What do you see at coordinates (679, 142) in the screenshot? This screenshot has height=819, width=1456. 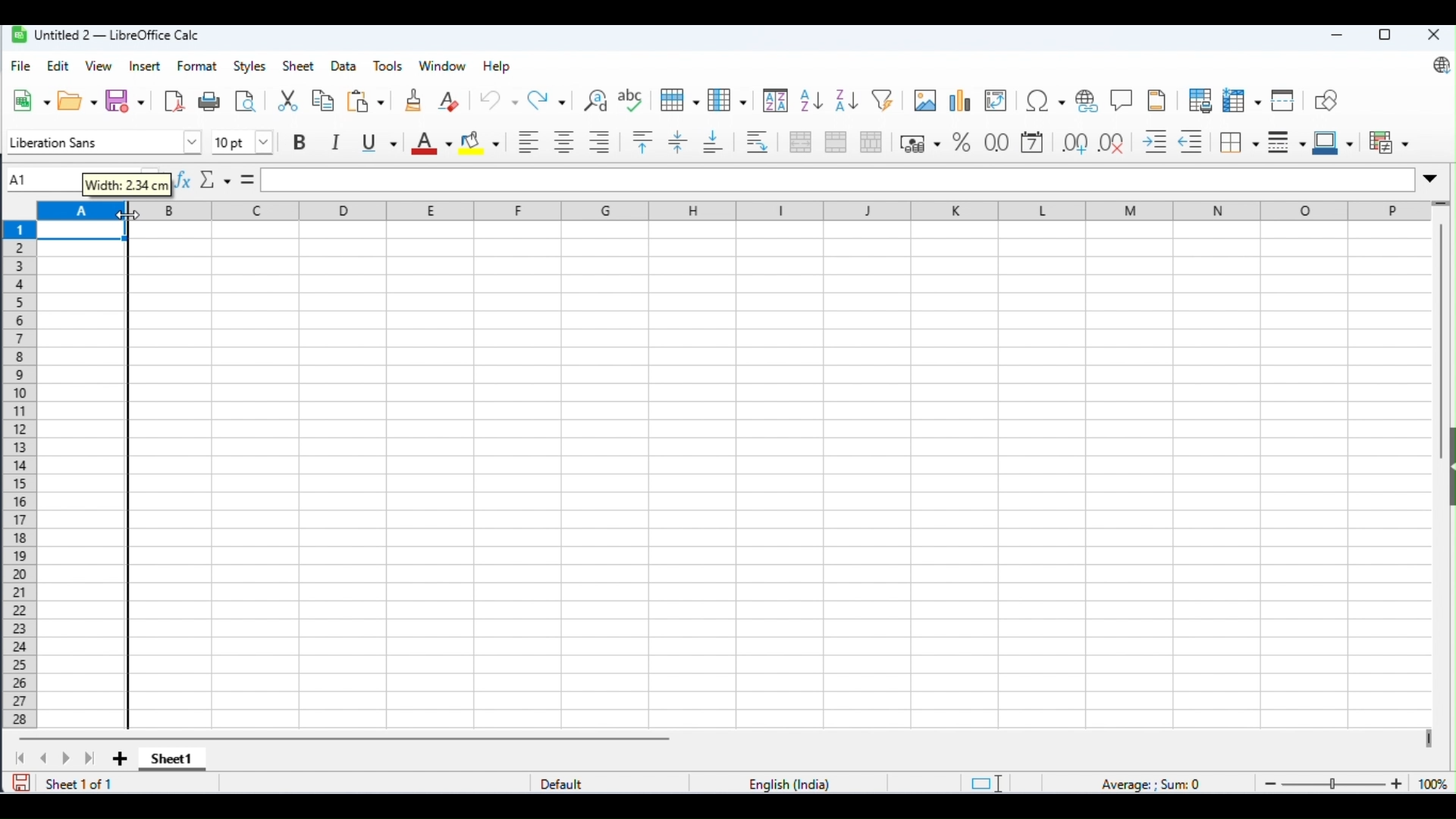 I see `enter vertically` at bounding box center [679, 142].